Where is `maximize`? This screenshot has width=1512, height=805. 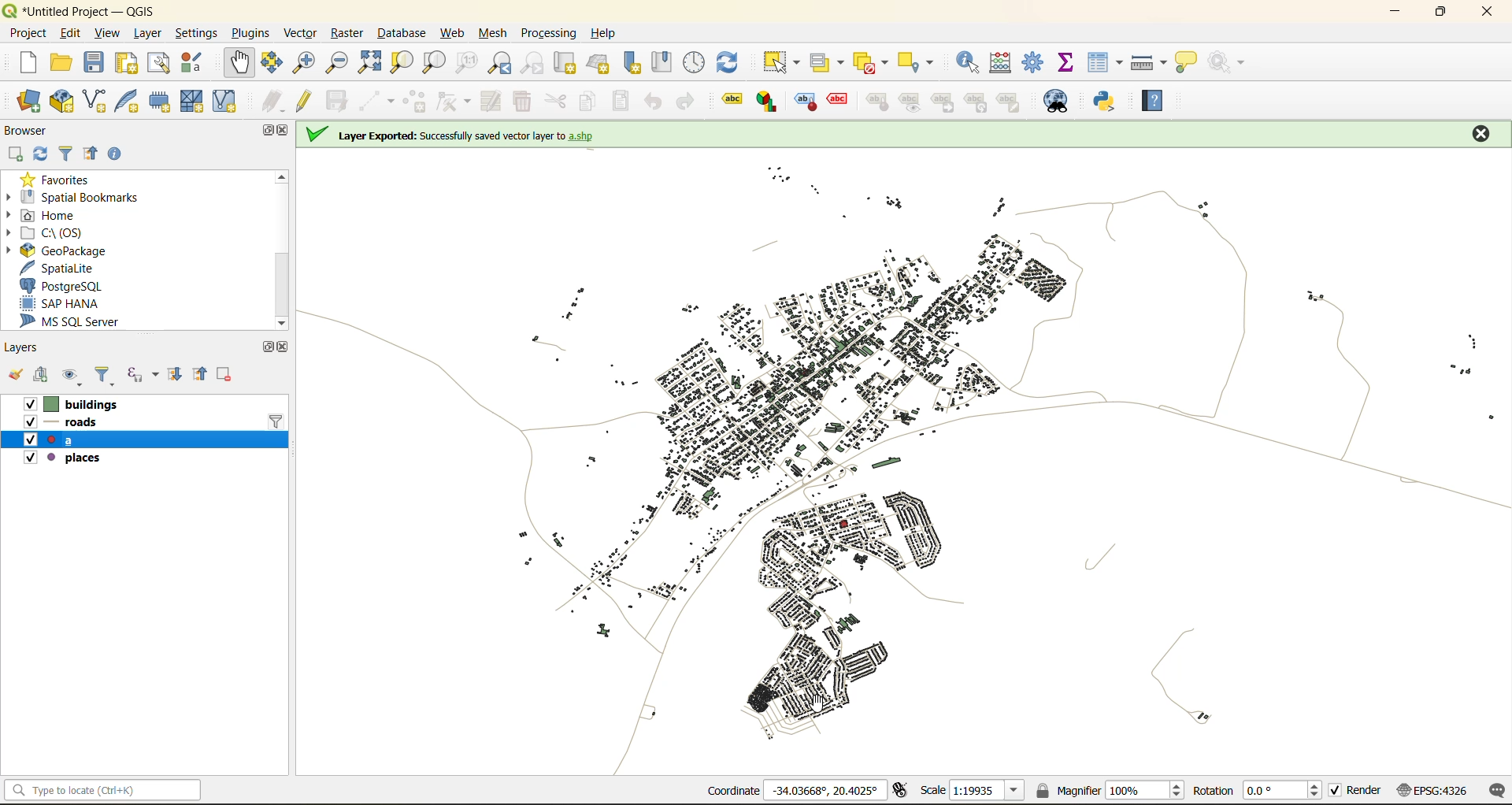 maximize is located at coordinates (265, 347).